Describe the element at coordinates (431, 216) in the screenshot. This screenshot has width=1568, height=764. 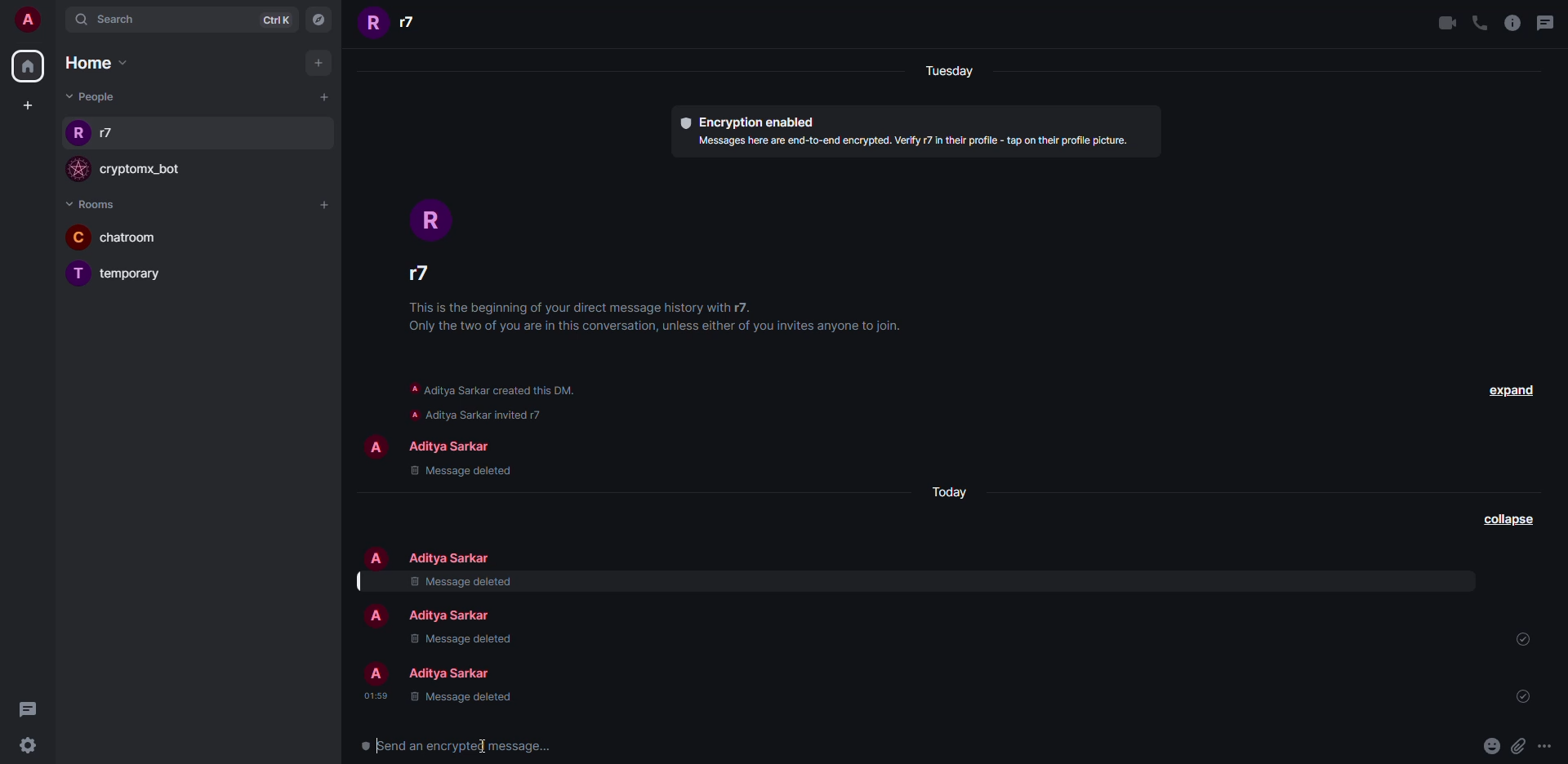
I see `profile` at that location.